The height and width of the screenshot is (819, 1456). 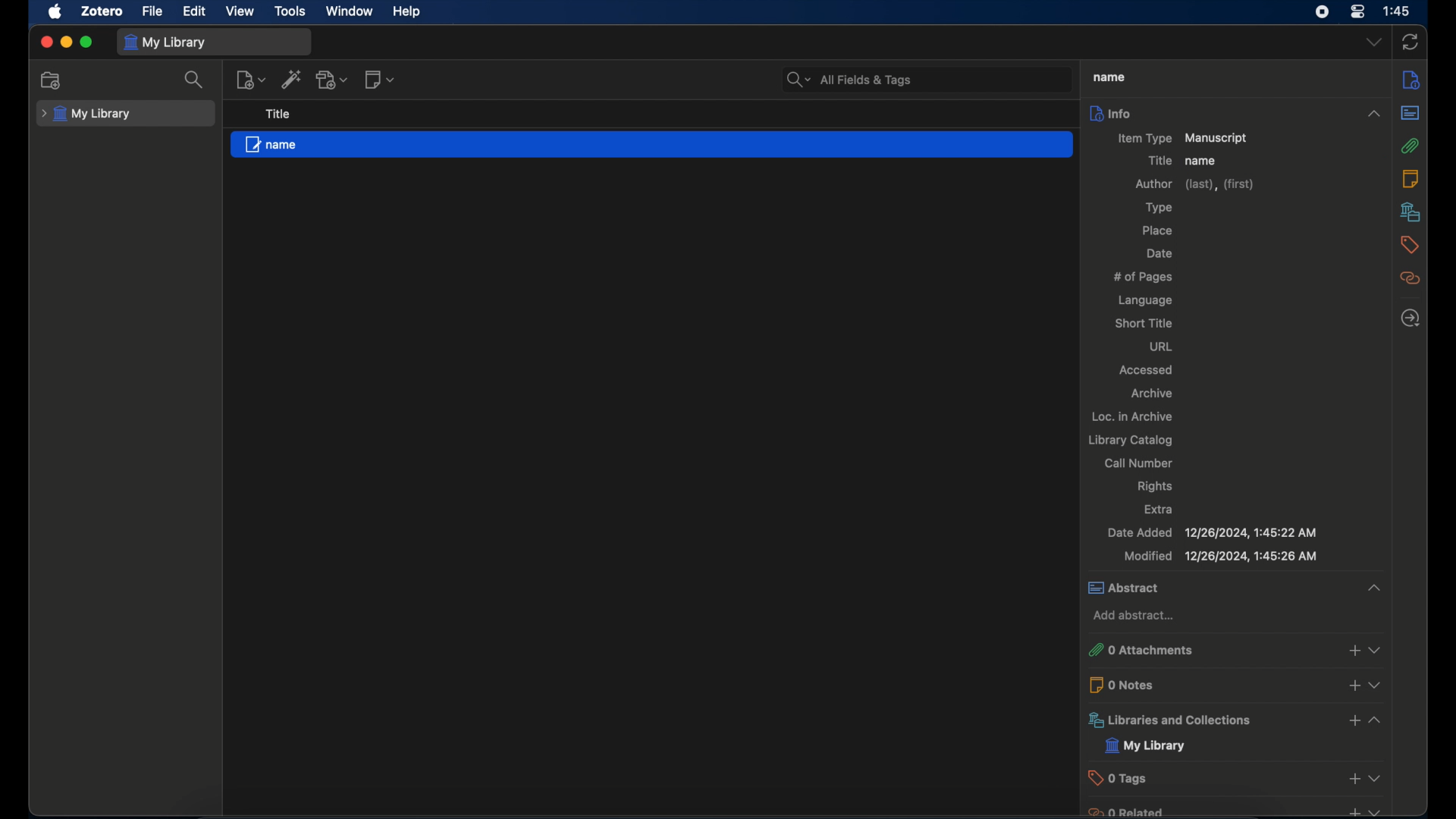 What do you see at coordinates (196, 12) in the screenshot?
I see `edit` at bounding box center [196, 12].